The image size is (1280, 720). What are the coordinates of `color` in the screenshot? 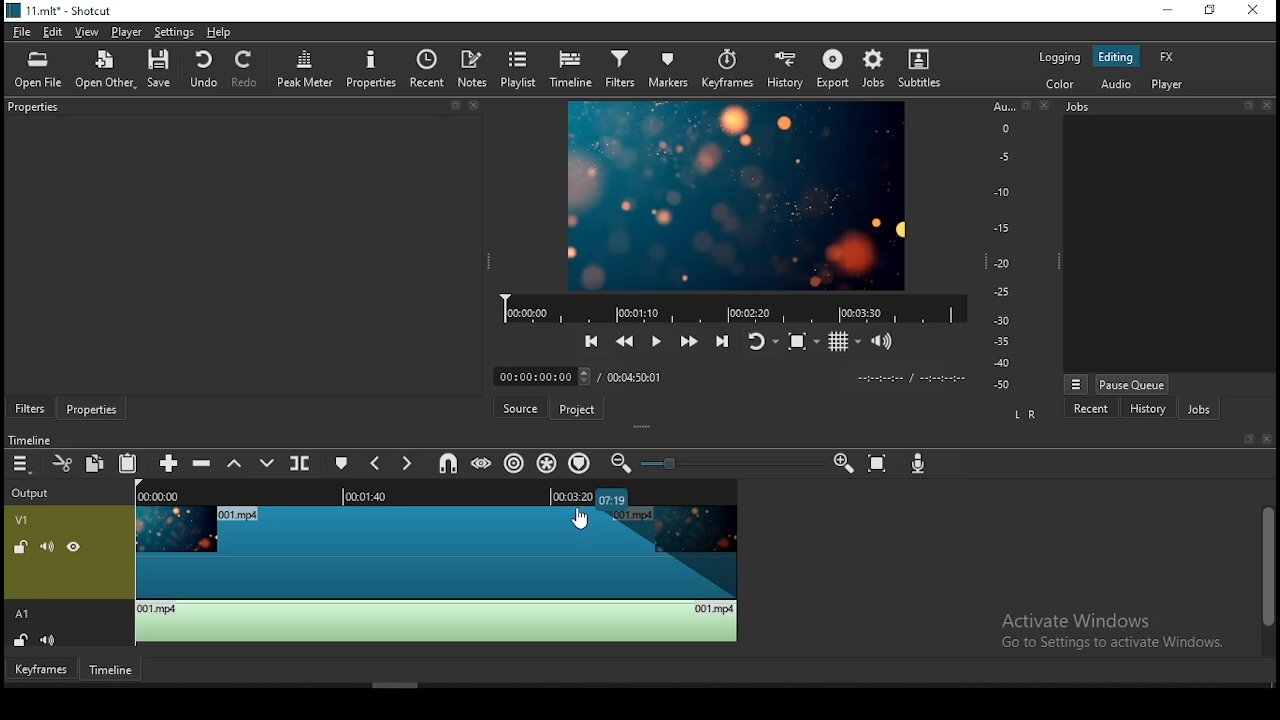 It's located at (1067, 86).